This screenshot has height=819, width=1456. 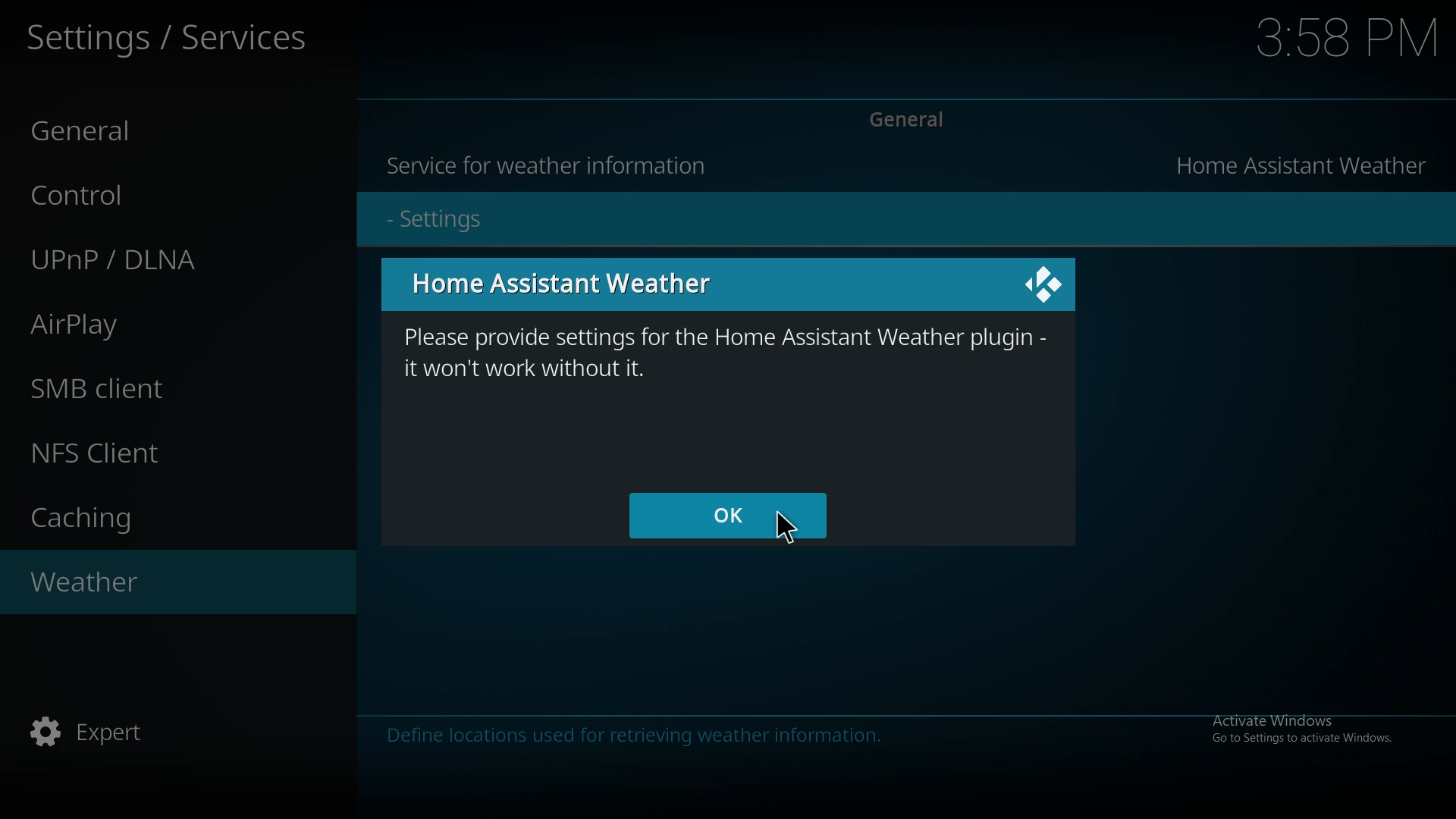 I want to click on please provide settings for the home assistant weather plugin, so click(x=729, y=356).